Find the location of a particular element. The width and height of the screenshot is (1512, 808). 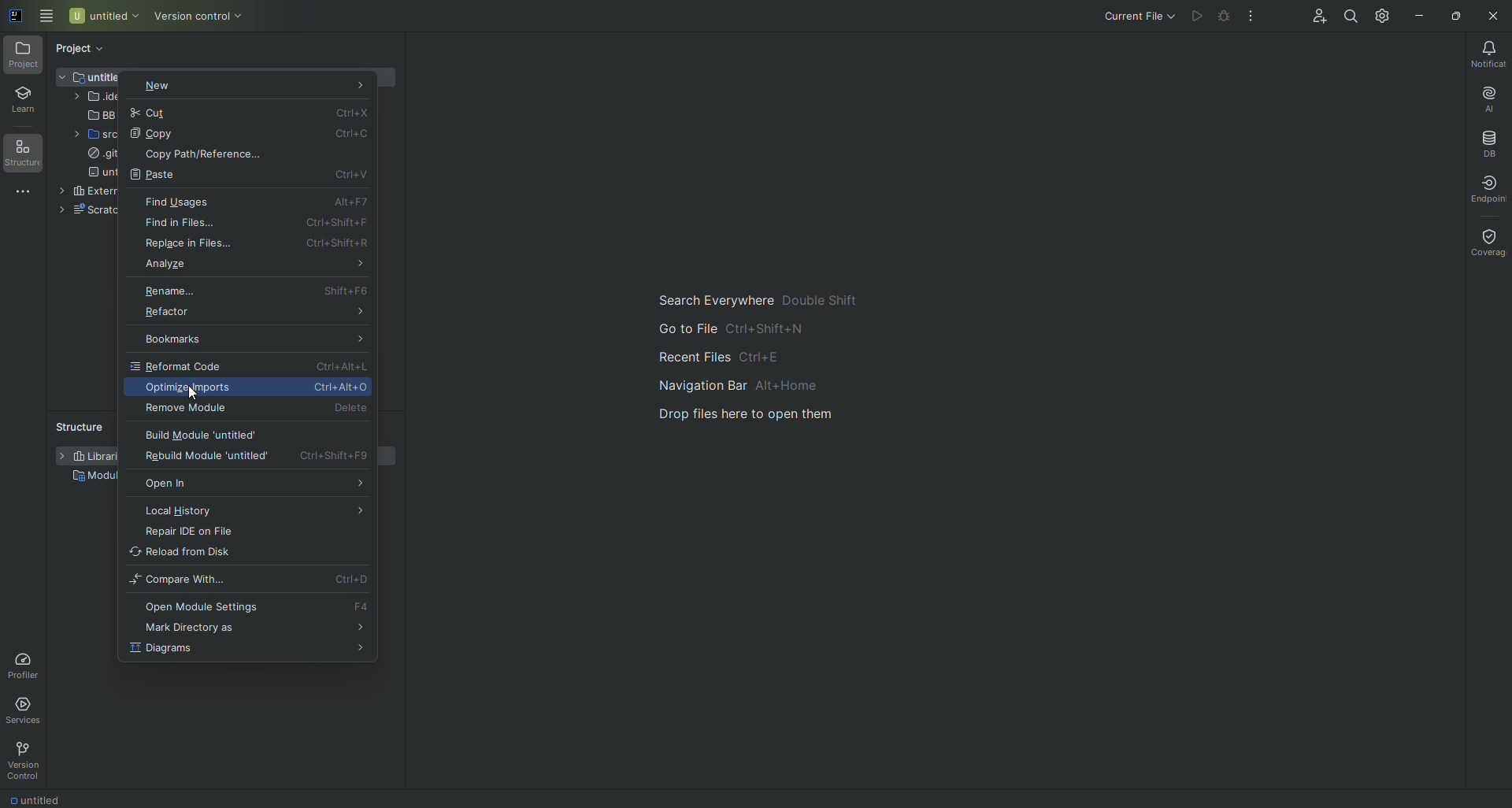

More Actions is located at coordinates (1250, 17).